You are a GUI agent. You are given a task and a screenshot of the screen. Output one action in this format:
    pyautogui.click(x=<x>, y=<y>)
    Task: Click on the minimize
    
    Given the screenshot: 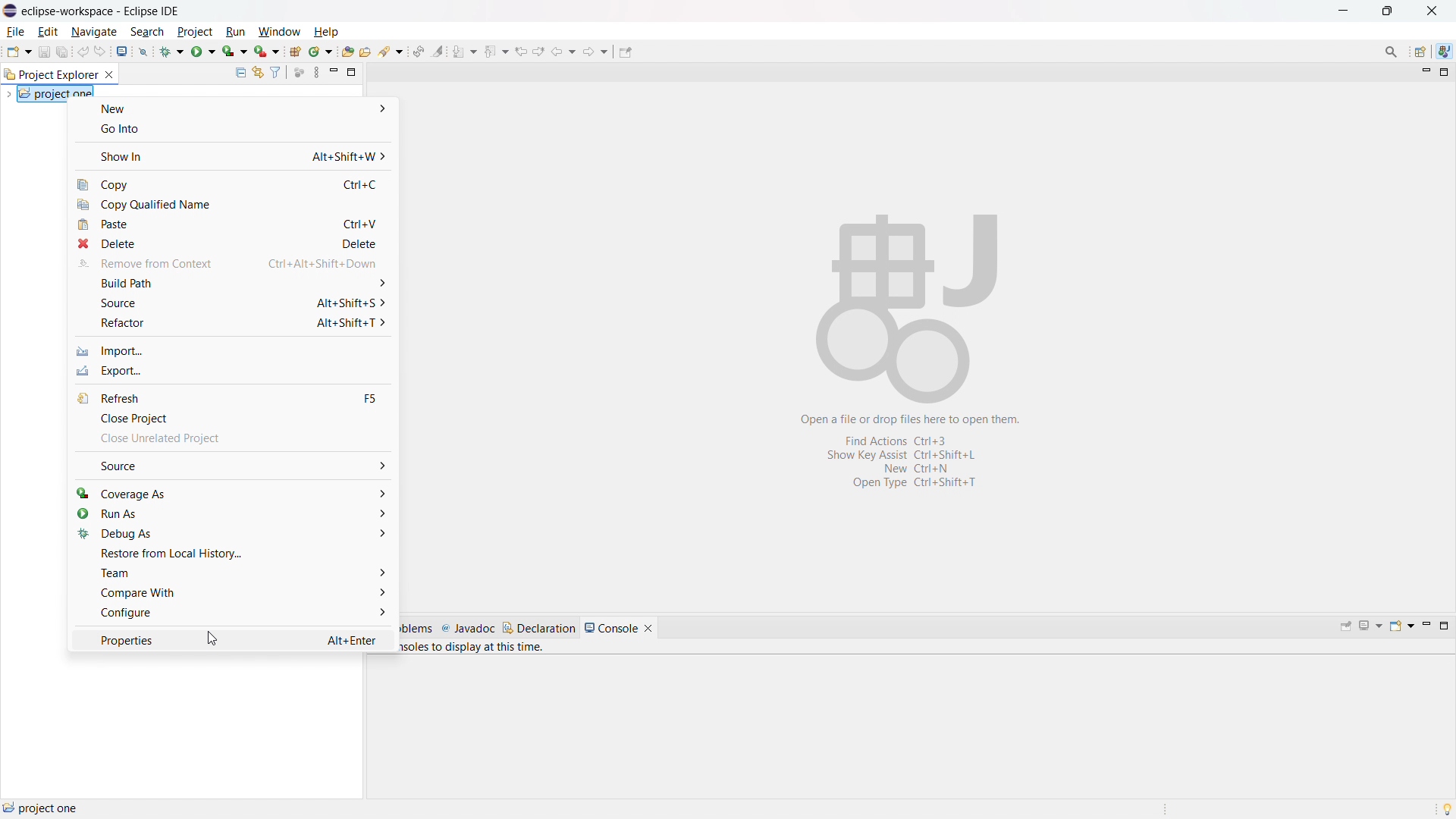 What is the action you would take?
    pyautogui.click(x=1425, y=626)
    